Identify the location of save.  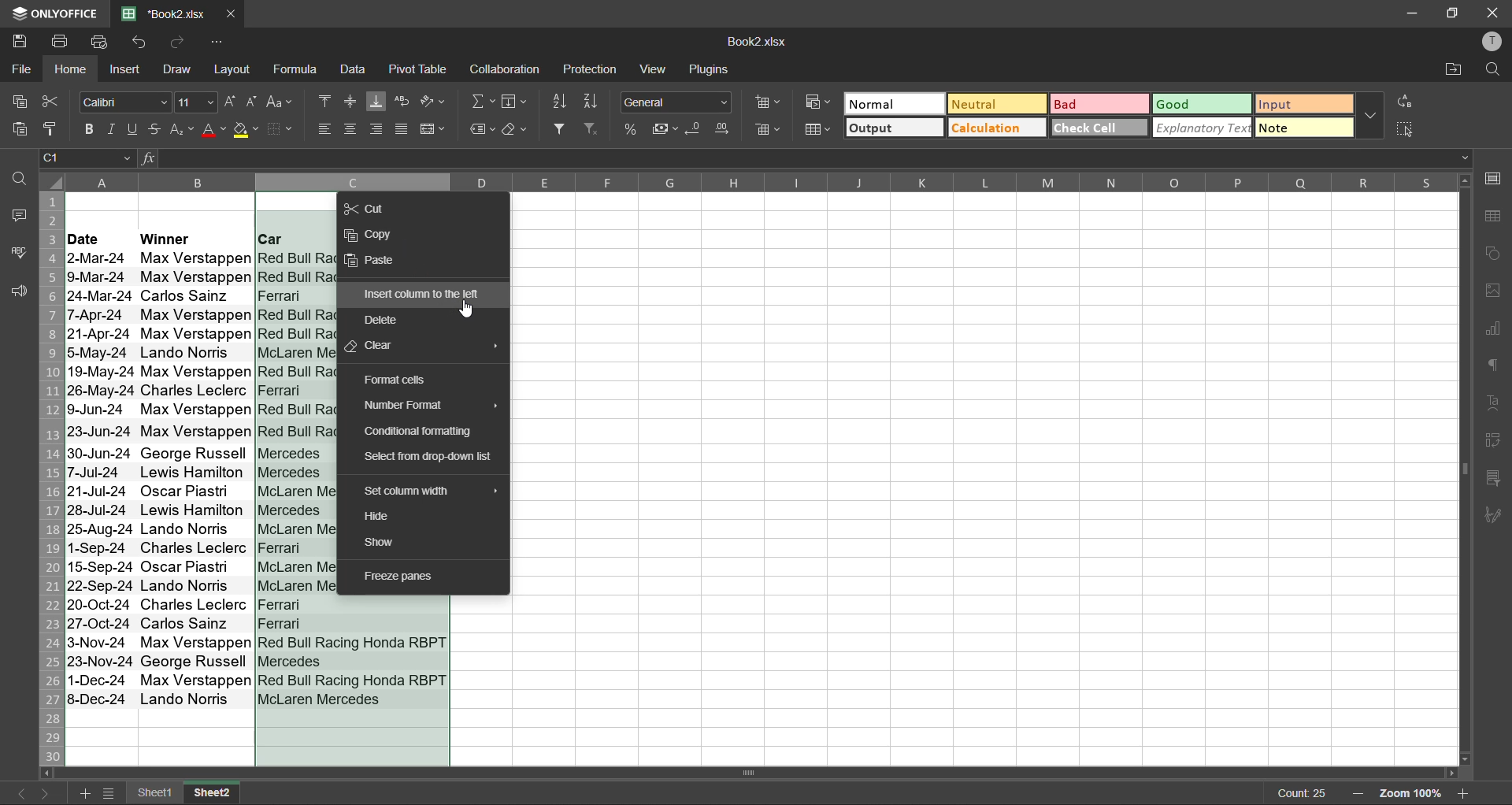
(20, 42).